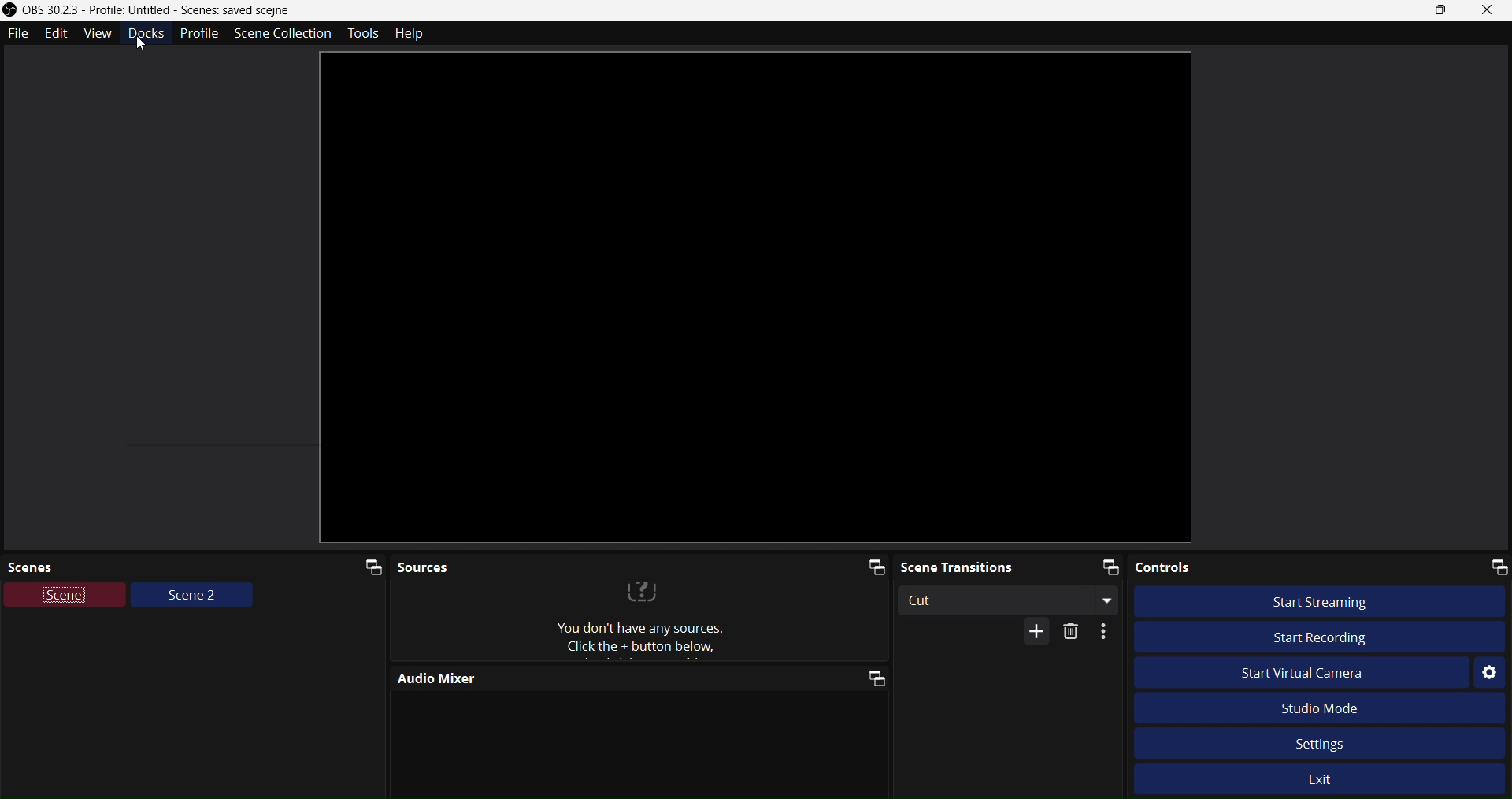 This screenshot has height=799, width=1512. I want to click on OBS S30.2.3 - profile: Untitled - Scenes: saved scejne, so click(180, 10).